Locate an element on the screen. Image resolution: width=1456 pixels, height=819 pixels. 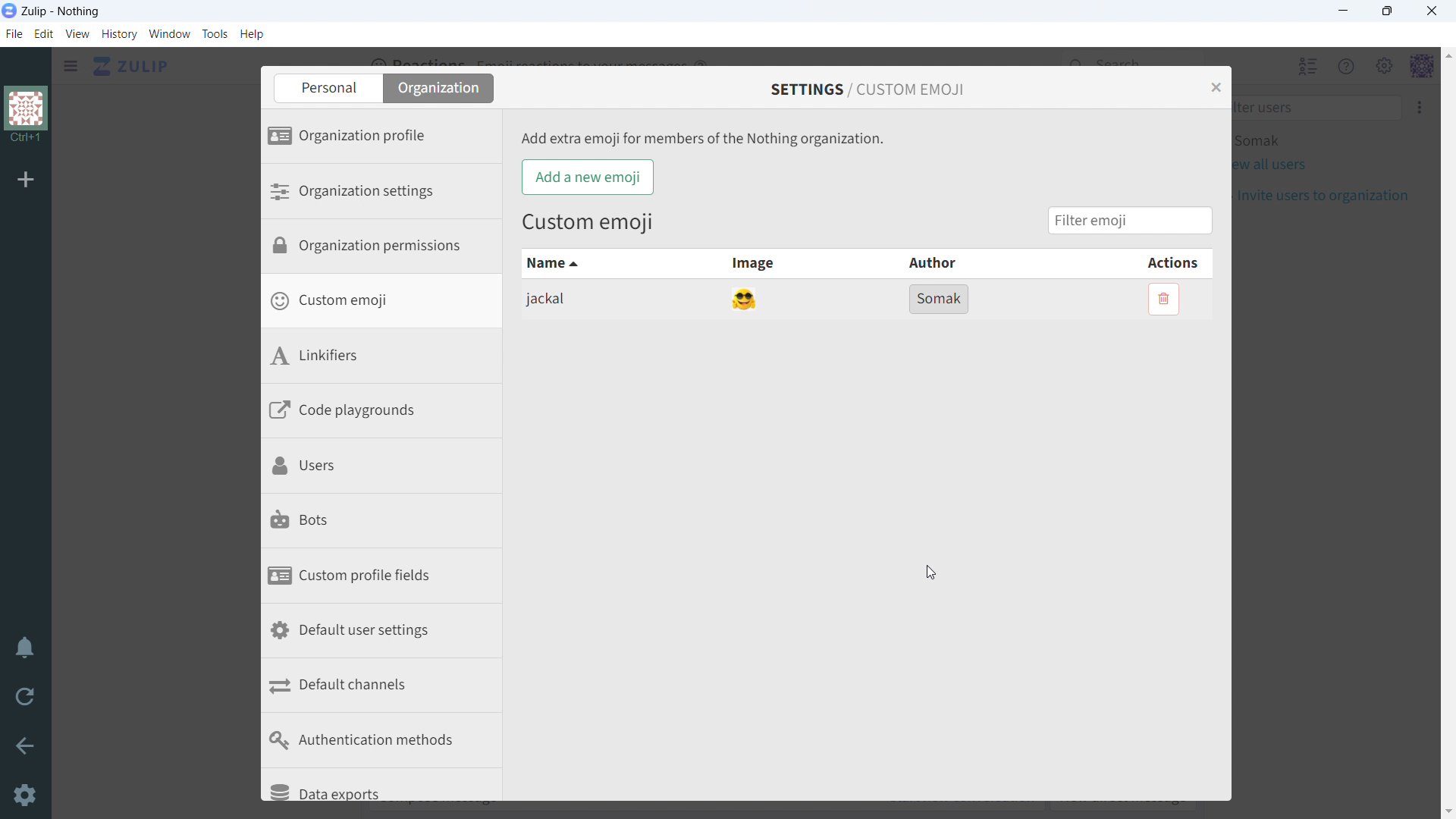
filter users is located at coordinates (1323, 108).